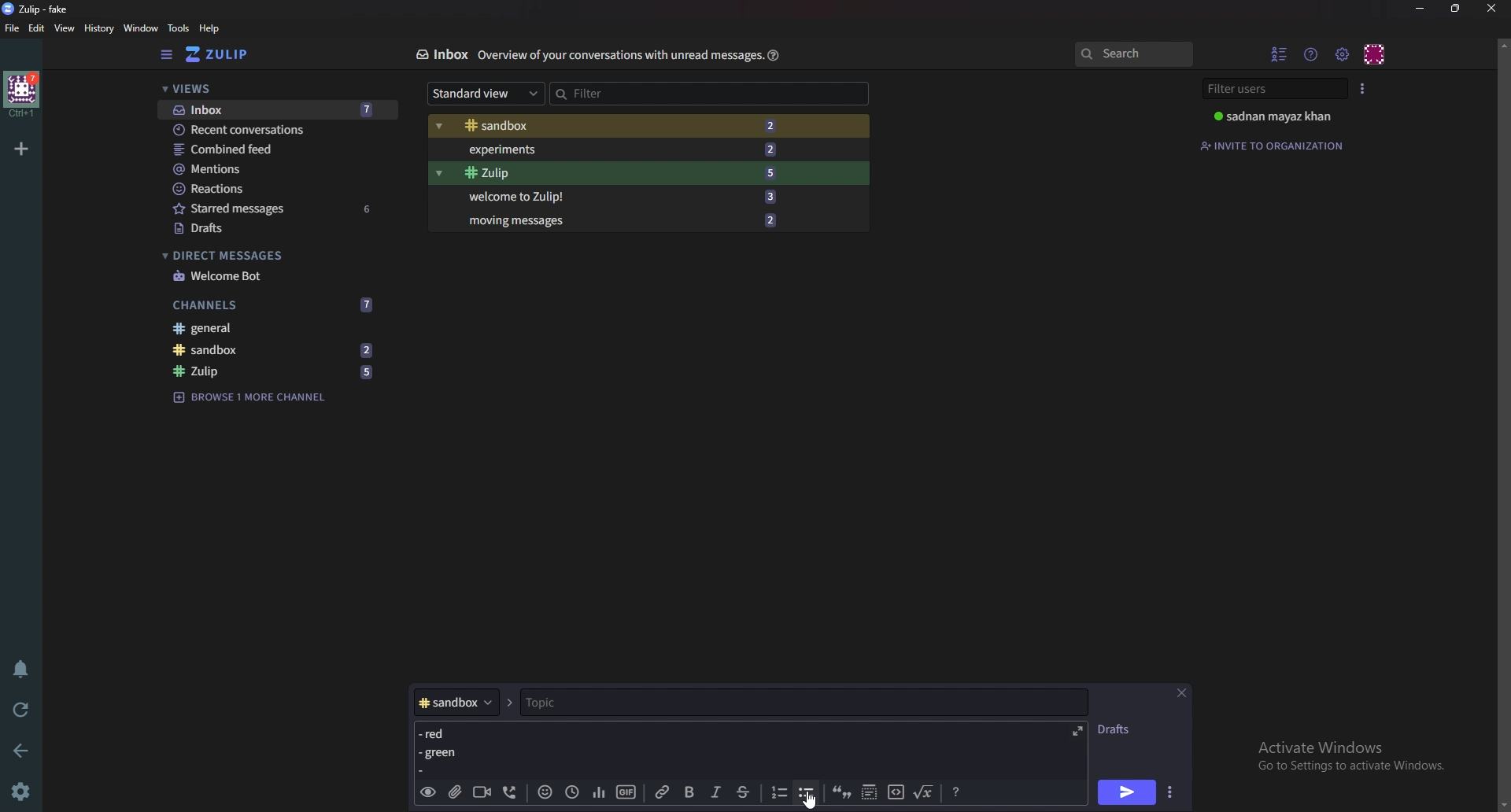  I want to click on Strike through, so click(743, 792).